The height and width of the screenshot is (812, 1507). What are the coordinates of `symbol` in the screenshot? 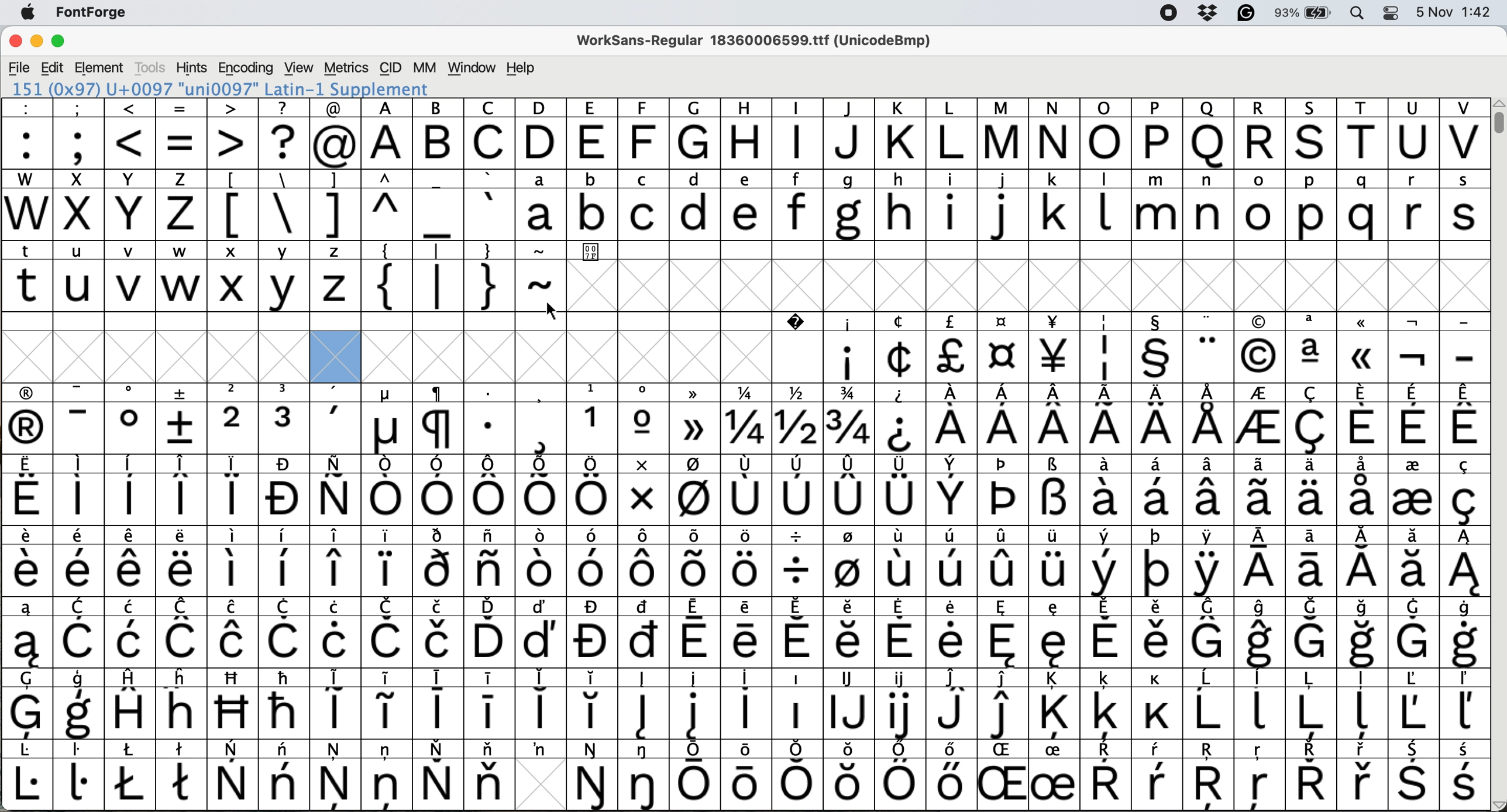 It's located at (540, 749).